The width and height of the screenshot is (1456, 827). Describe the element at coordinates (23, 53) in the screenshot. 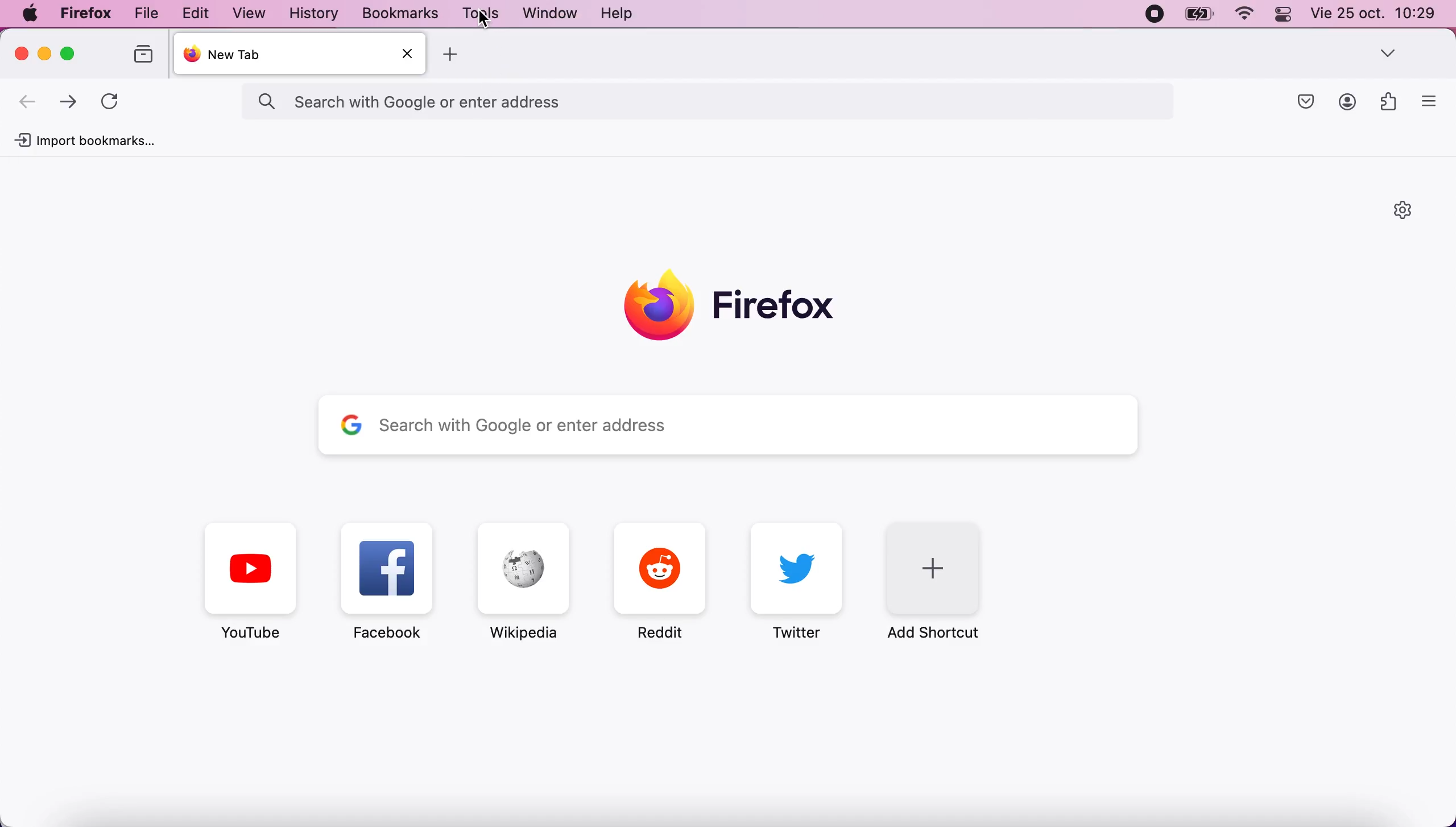

I see `Close` at that location.